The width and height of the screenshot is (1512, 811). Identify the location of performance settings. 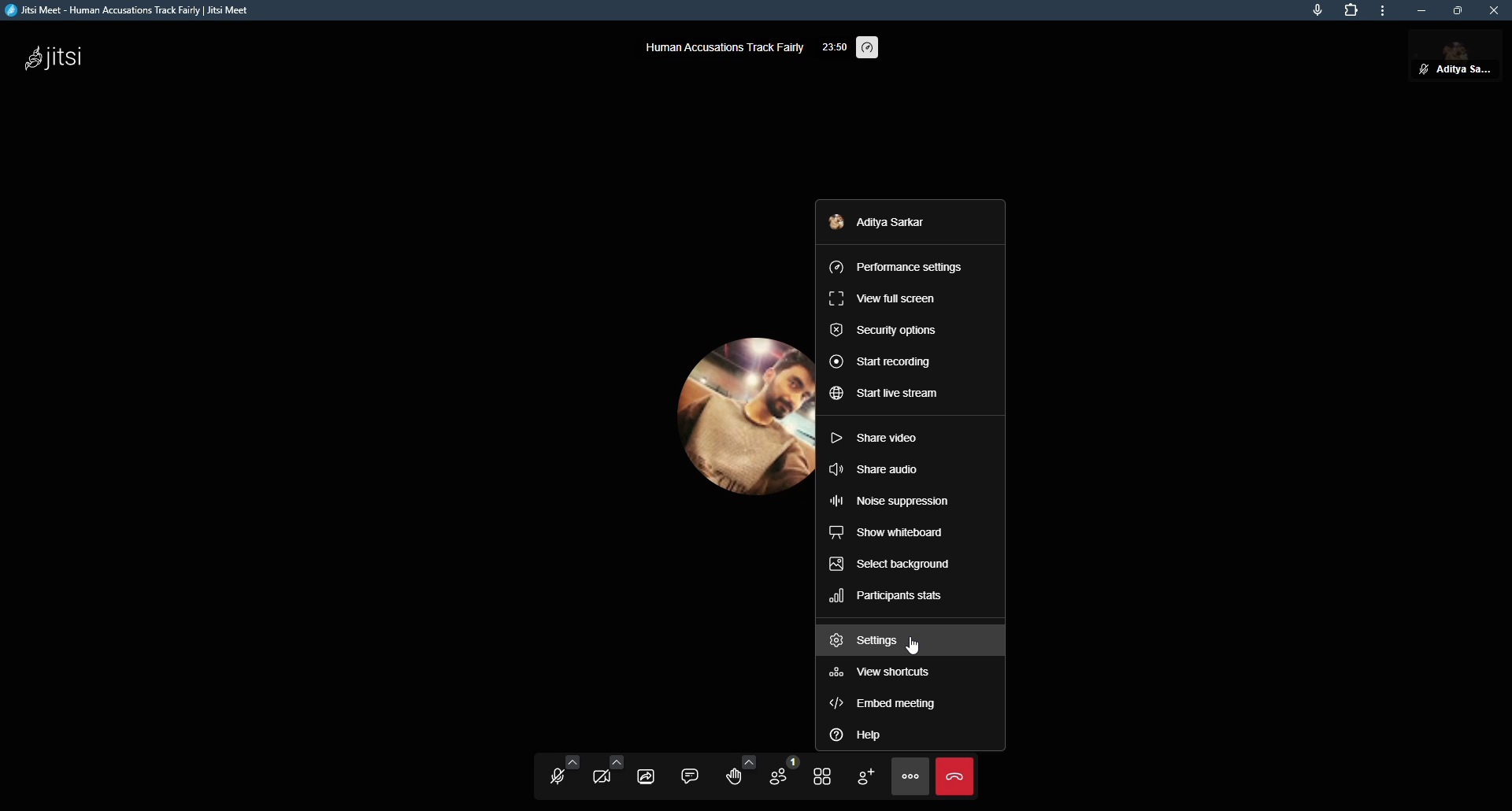
(896, 264).